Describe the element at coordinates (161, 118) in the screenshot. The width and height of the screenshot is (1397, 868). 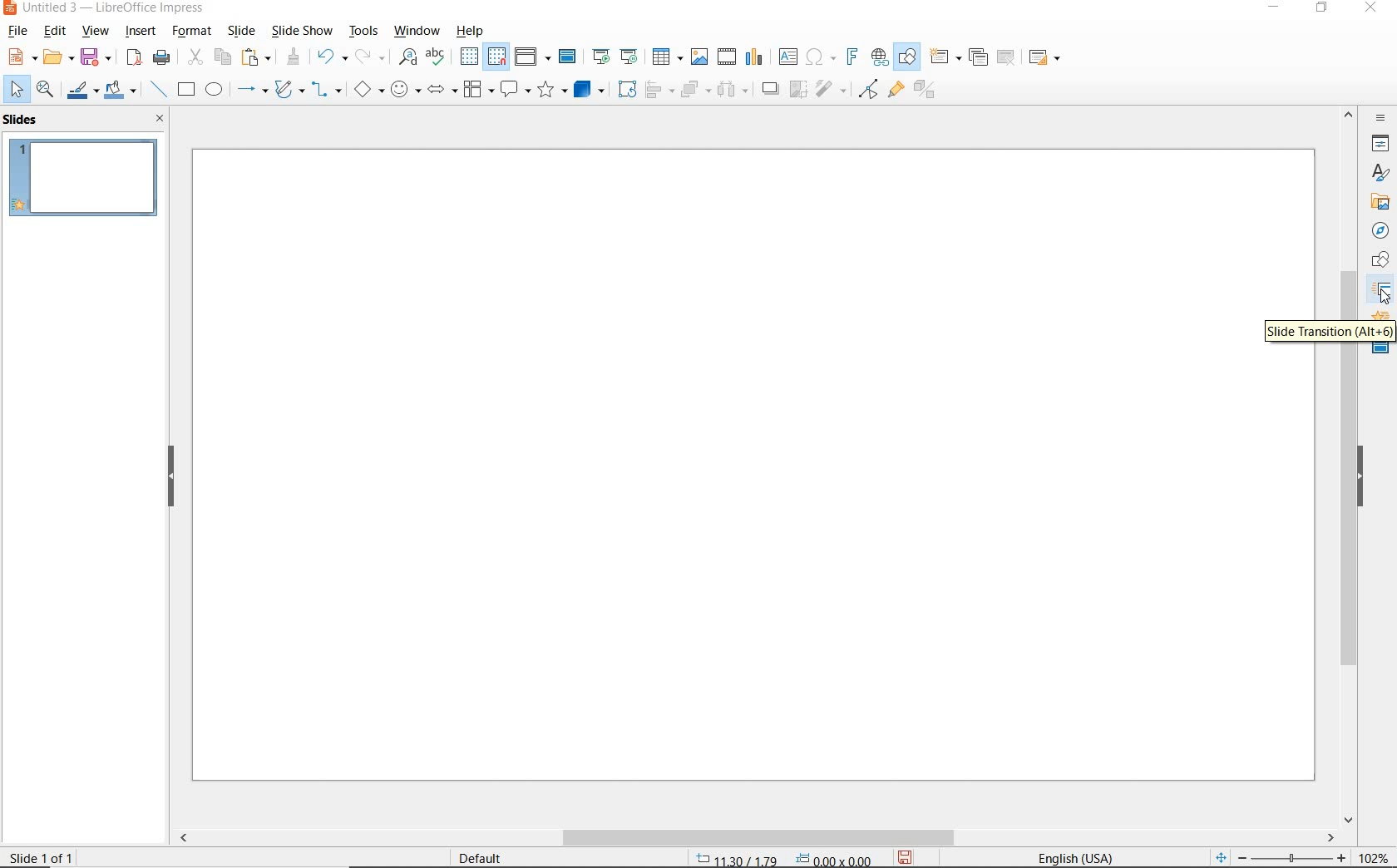
I see `CLOSE` at that location.